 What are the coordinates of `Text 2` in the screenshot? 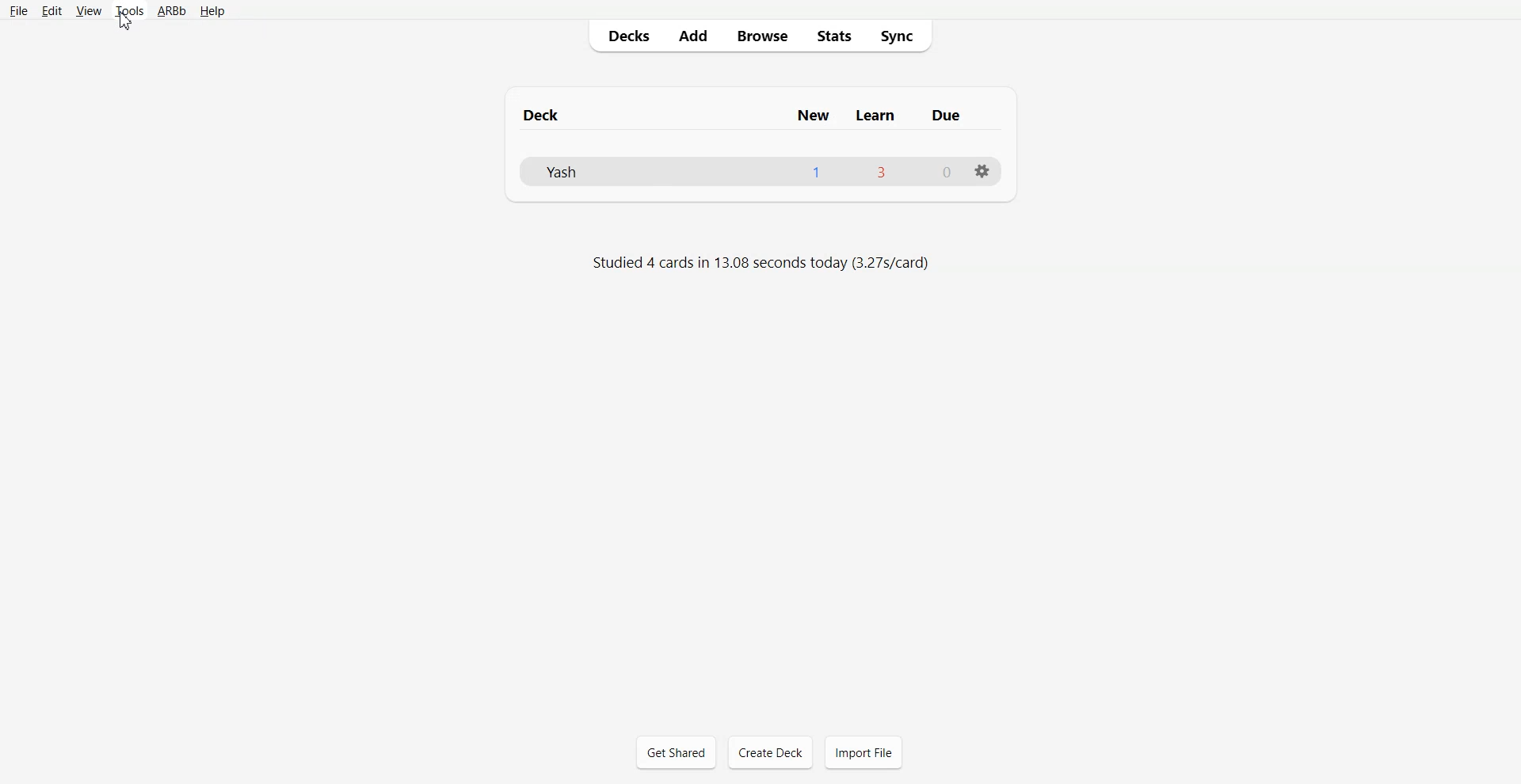 It's located at (761, 263).